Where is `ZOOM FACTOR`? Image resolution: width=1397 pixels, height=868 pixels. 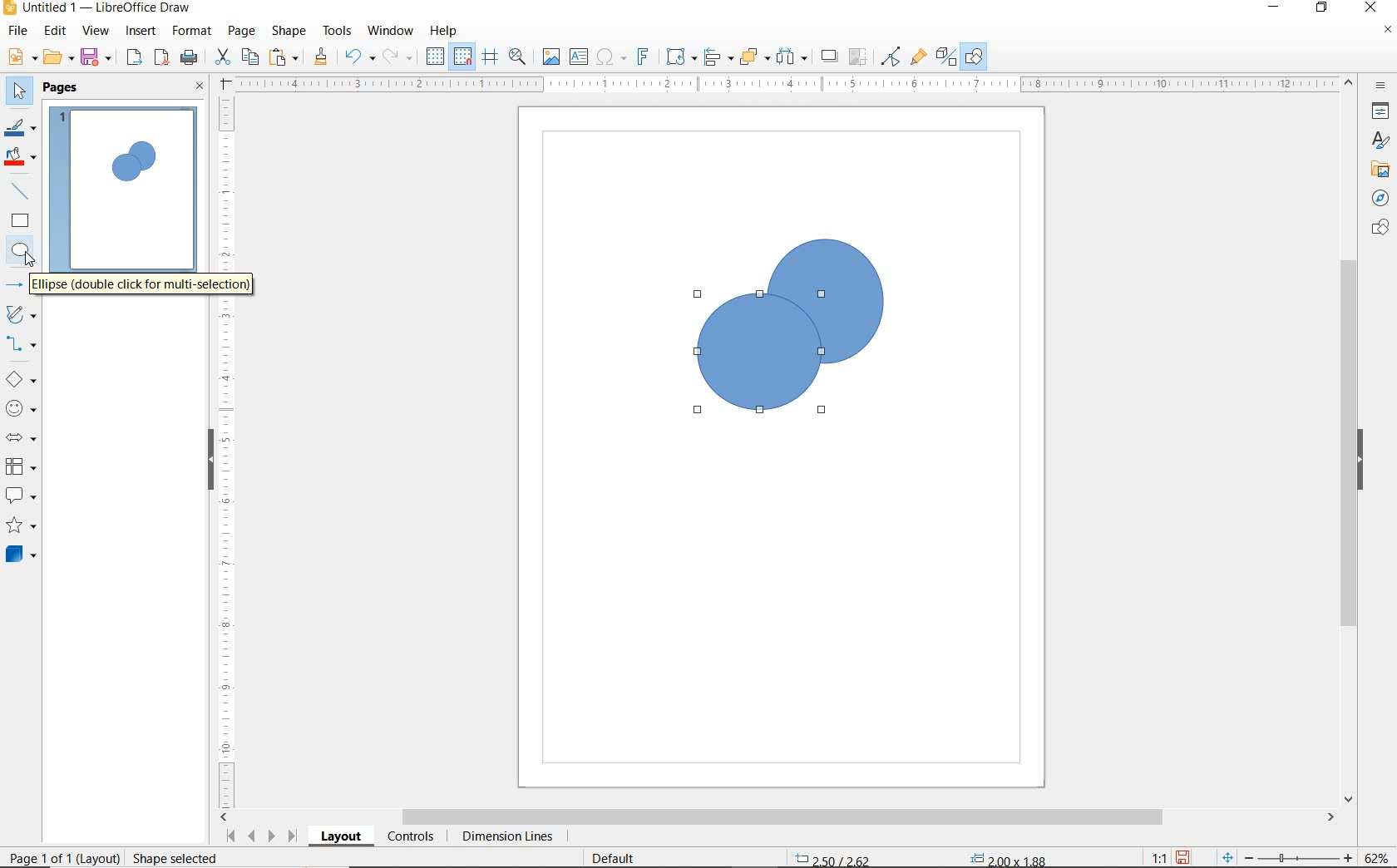
ZOOM FACTOR is located at coordinates (1377, 855).